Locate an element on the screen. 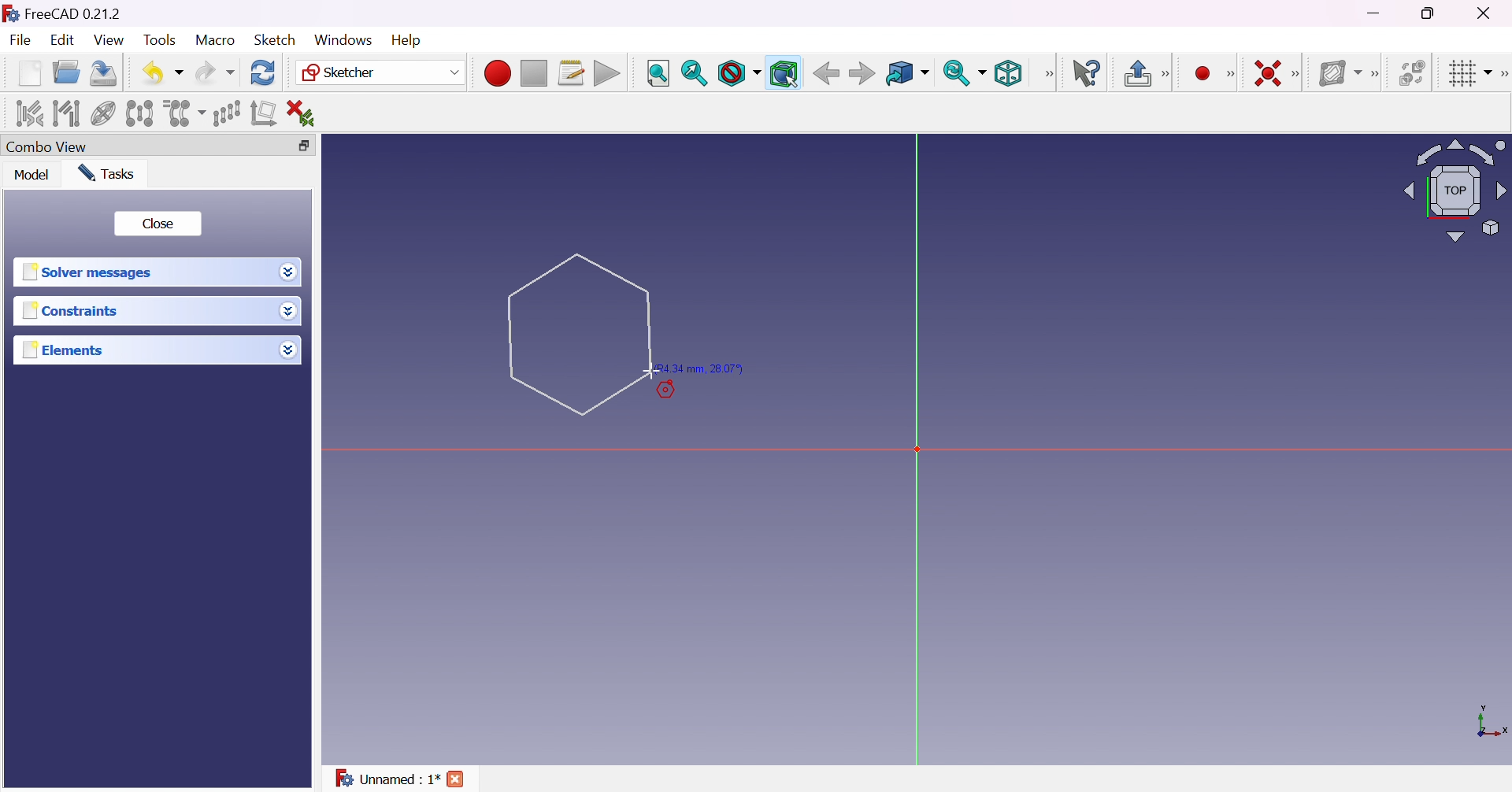 The width and height of the screenshot is (1512, 792). Select associated geometry is located at coordinates (66, 113).